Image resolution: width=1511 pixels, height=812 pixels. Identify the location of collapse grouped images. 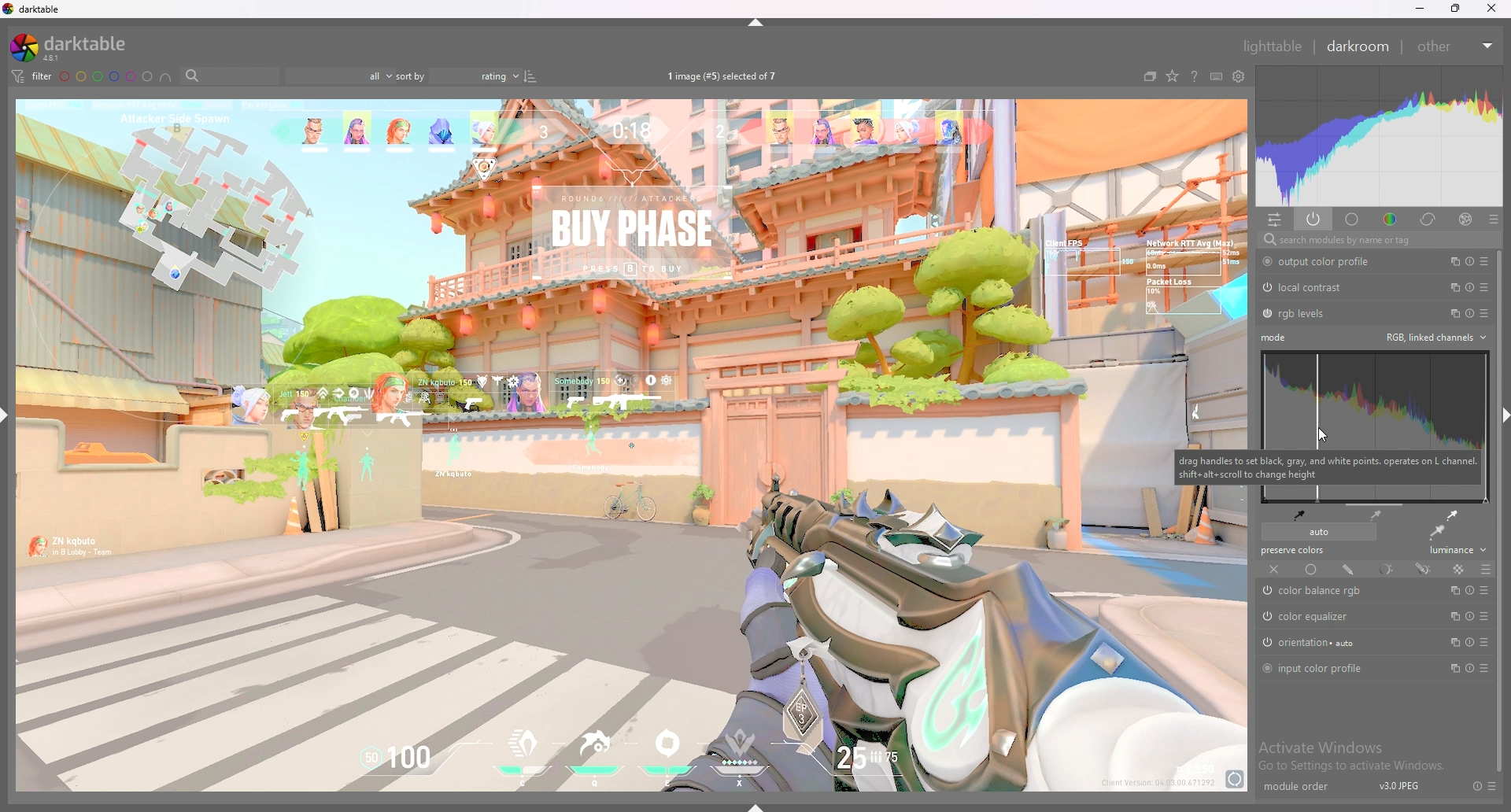
(1151, 77).